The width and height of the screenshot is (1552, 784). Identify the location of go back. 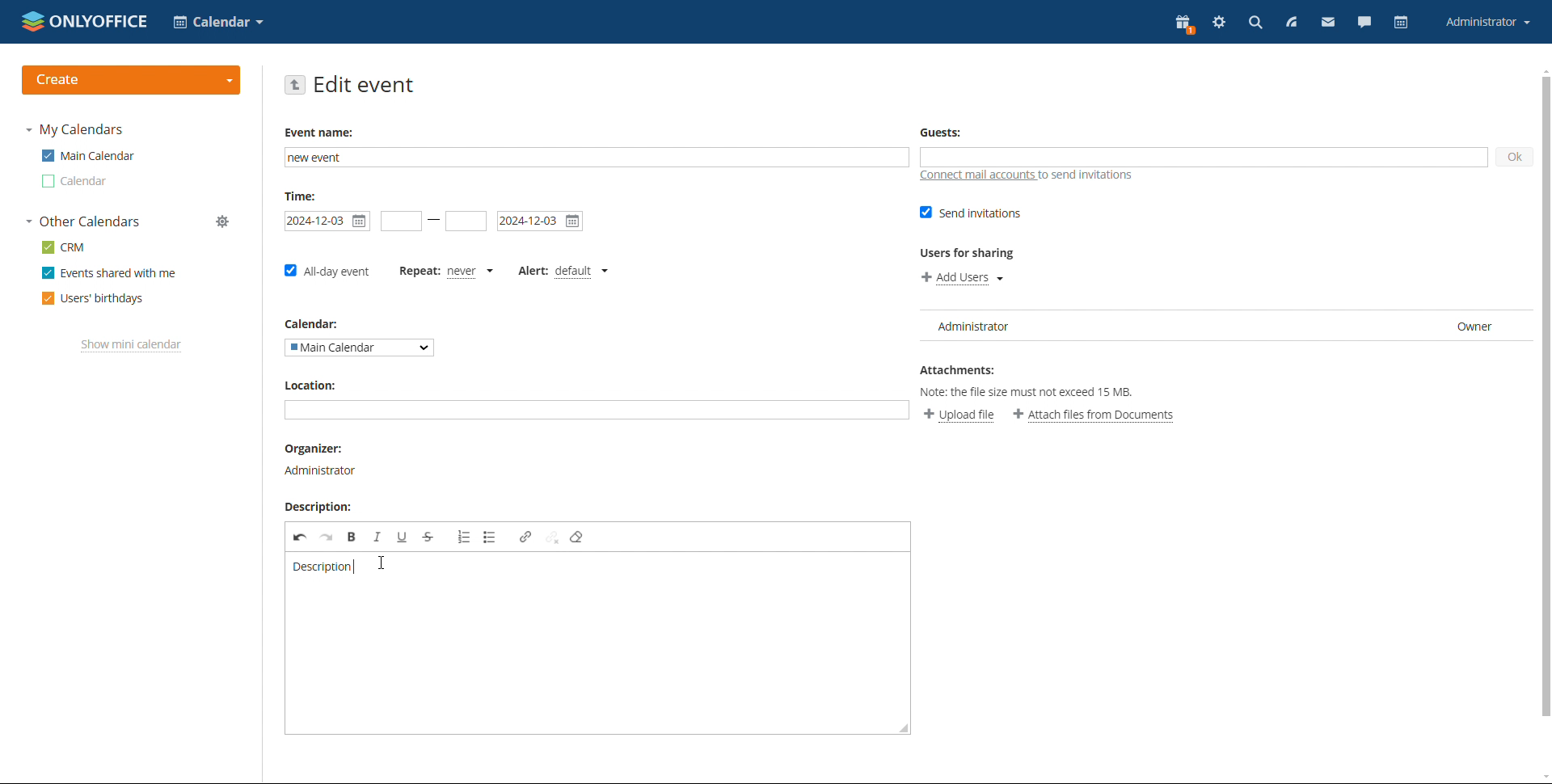
(295, 85).